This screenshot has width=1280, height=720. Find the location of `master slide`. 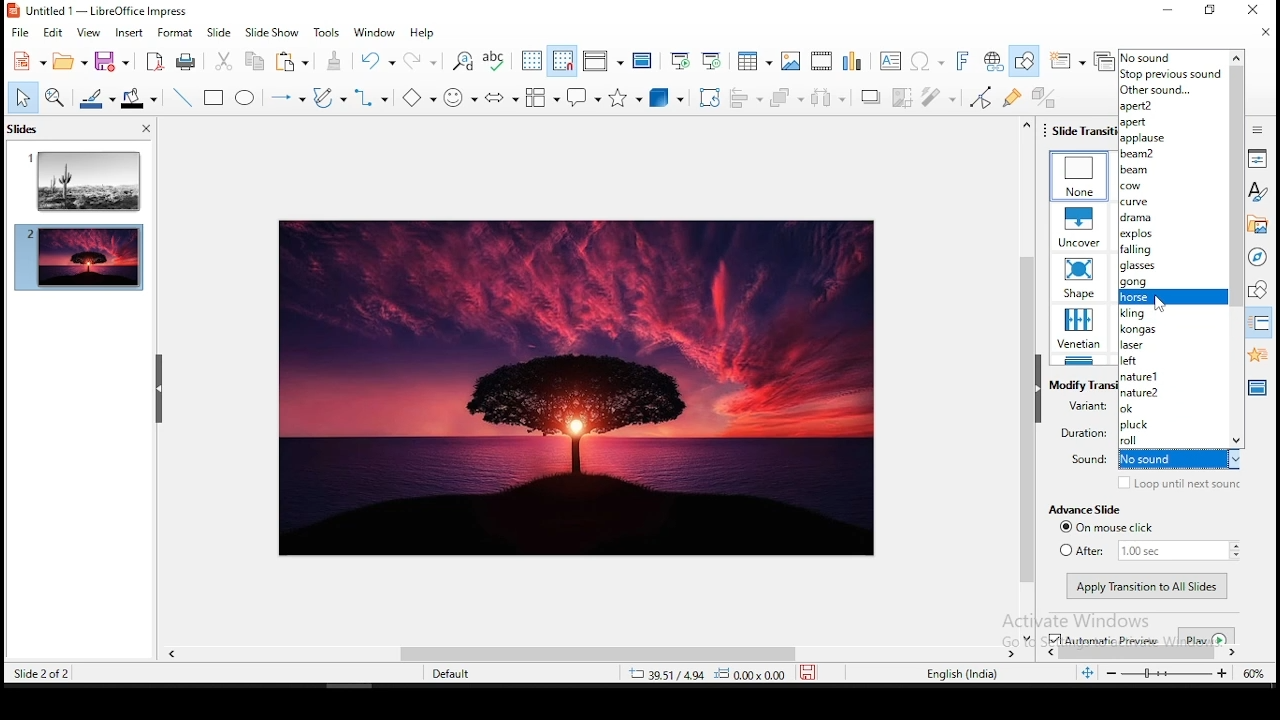

master slide is located at coordinates (643, 58).